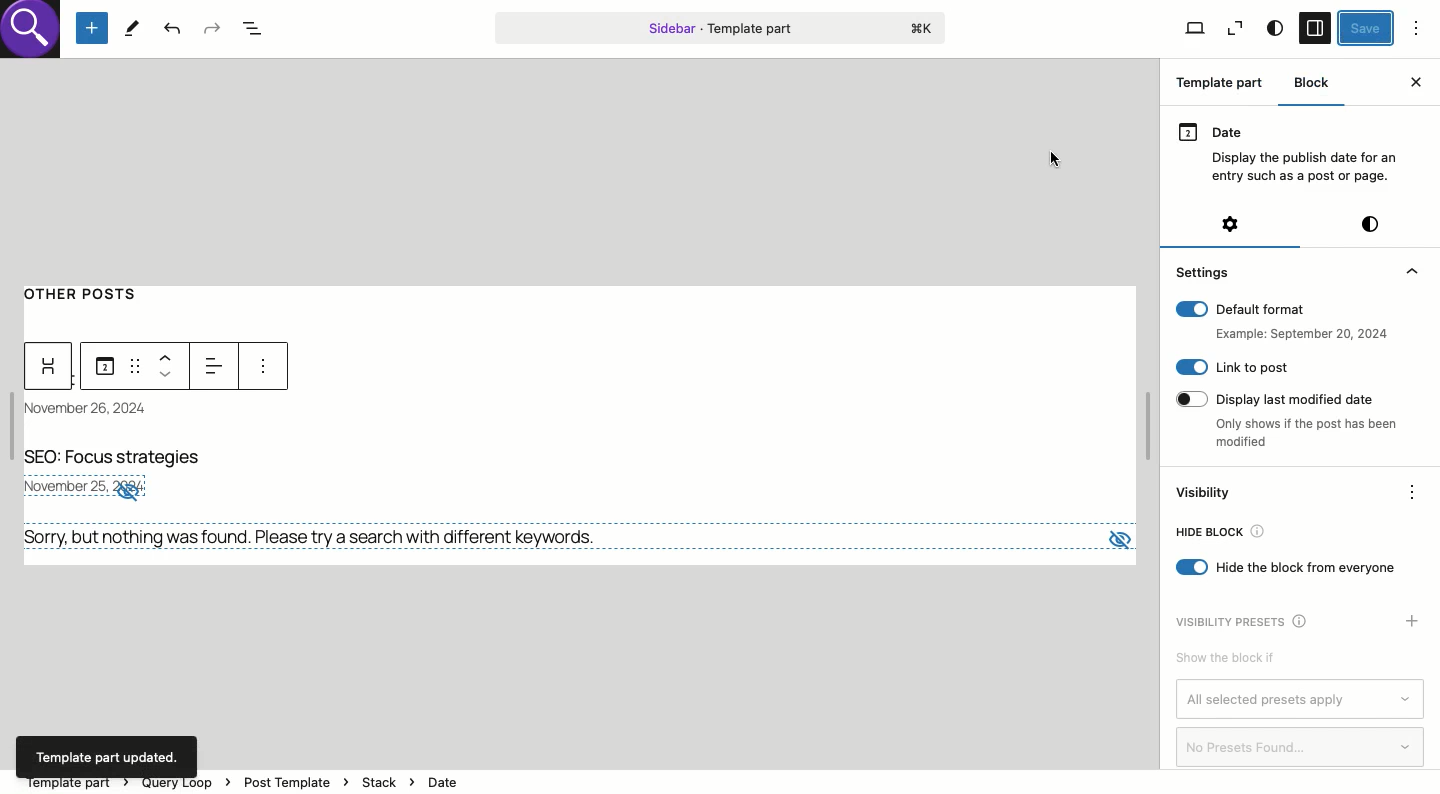  I want to click on Settings, so click(1205, 271).